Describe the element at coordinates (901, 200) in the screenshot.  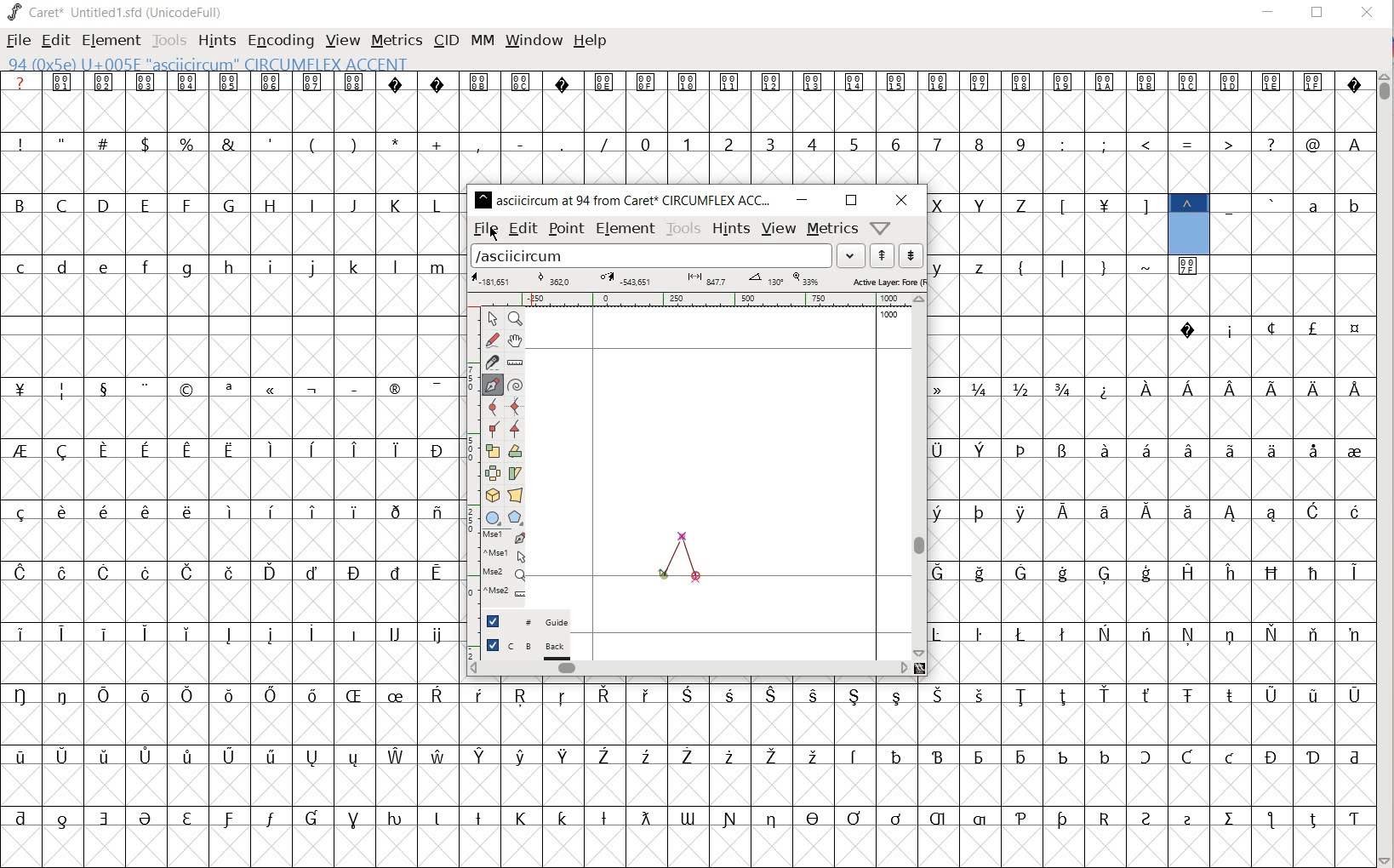
I see `close` at that location.